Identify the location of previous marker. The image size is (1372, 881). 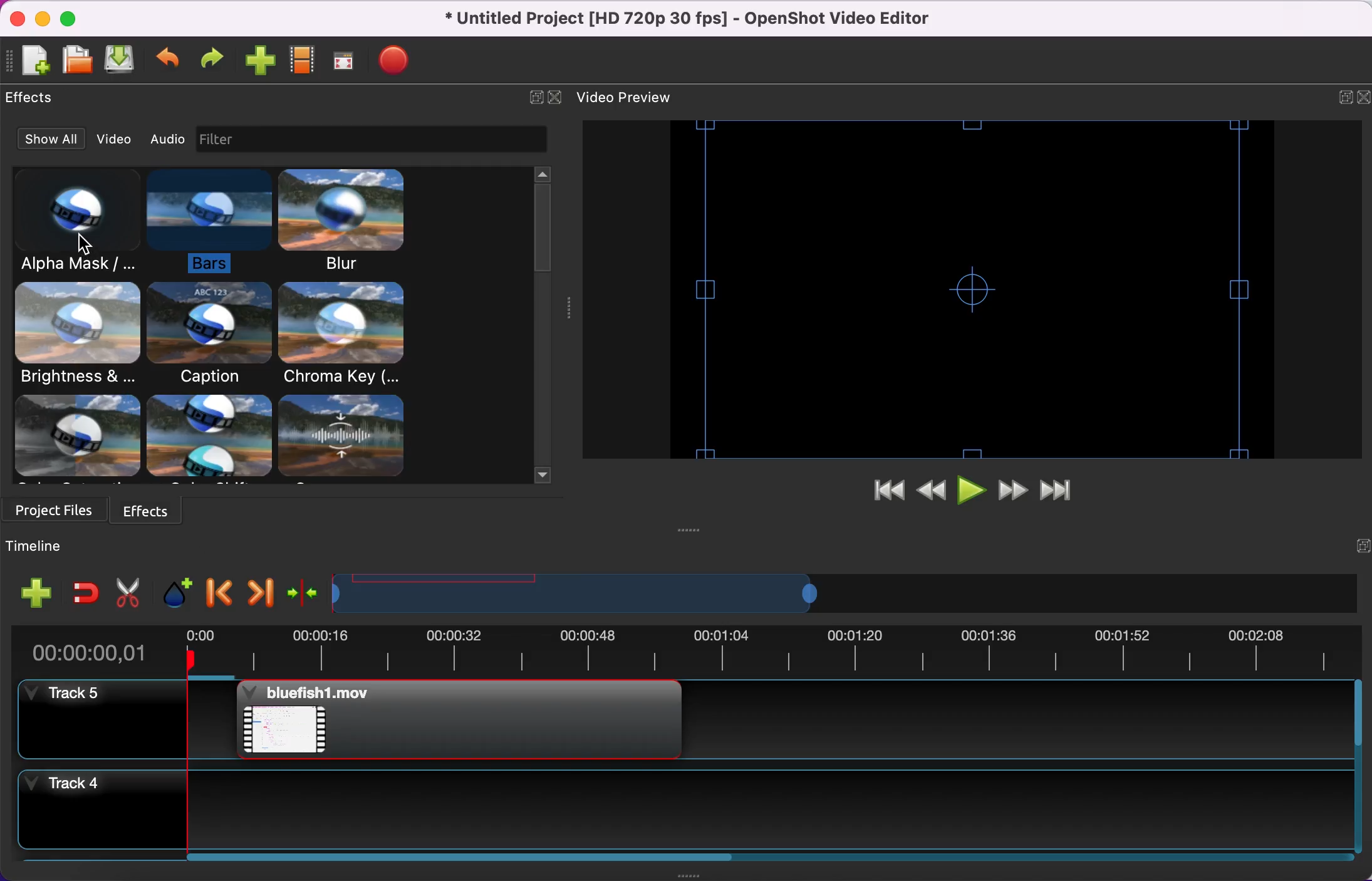
(218, 592).